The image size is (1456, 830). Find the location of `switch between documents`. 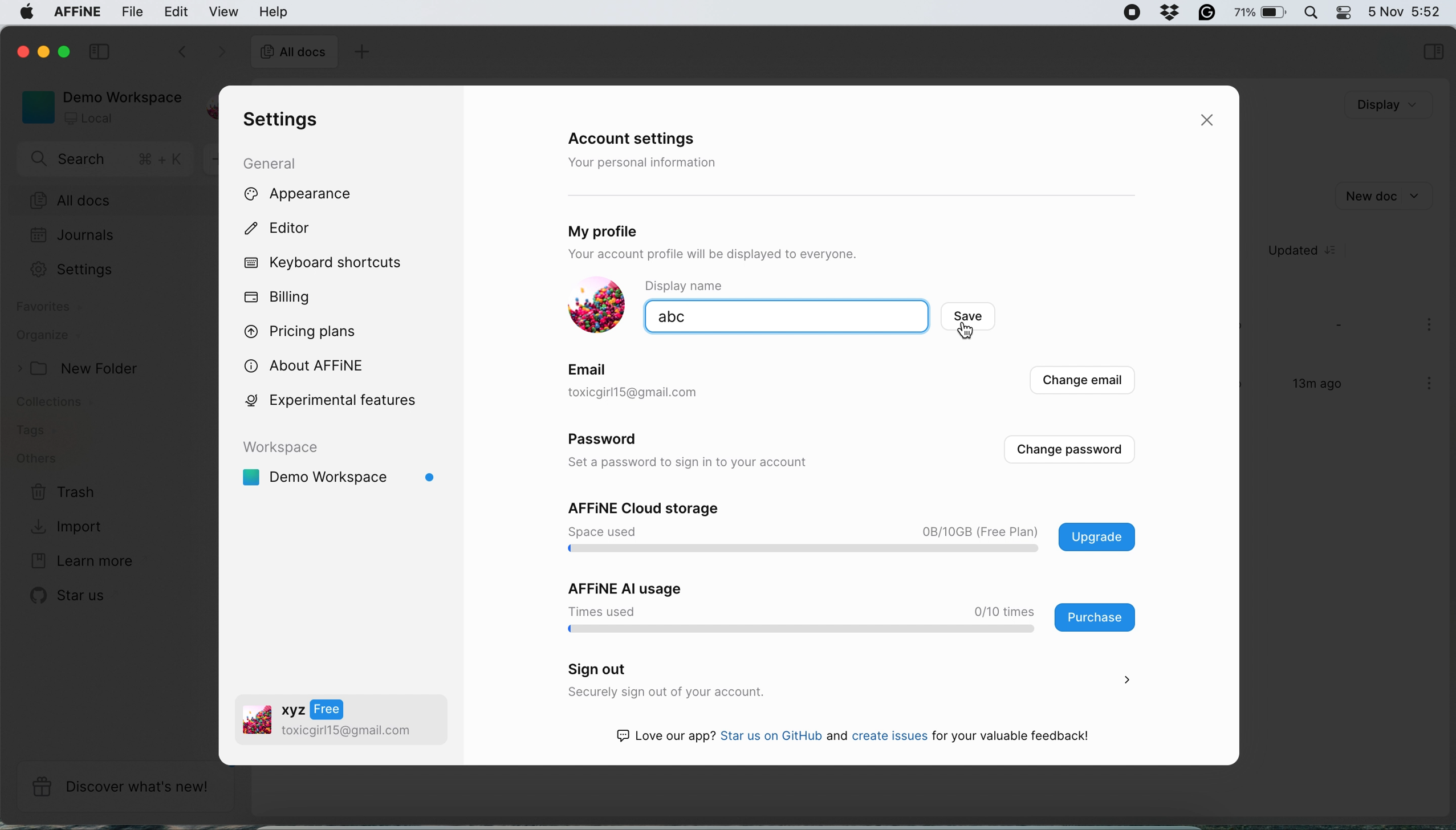

switch between documents is located at coordinates (199, 53).